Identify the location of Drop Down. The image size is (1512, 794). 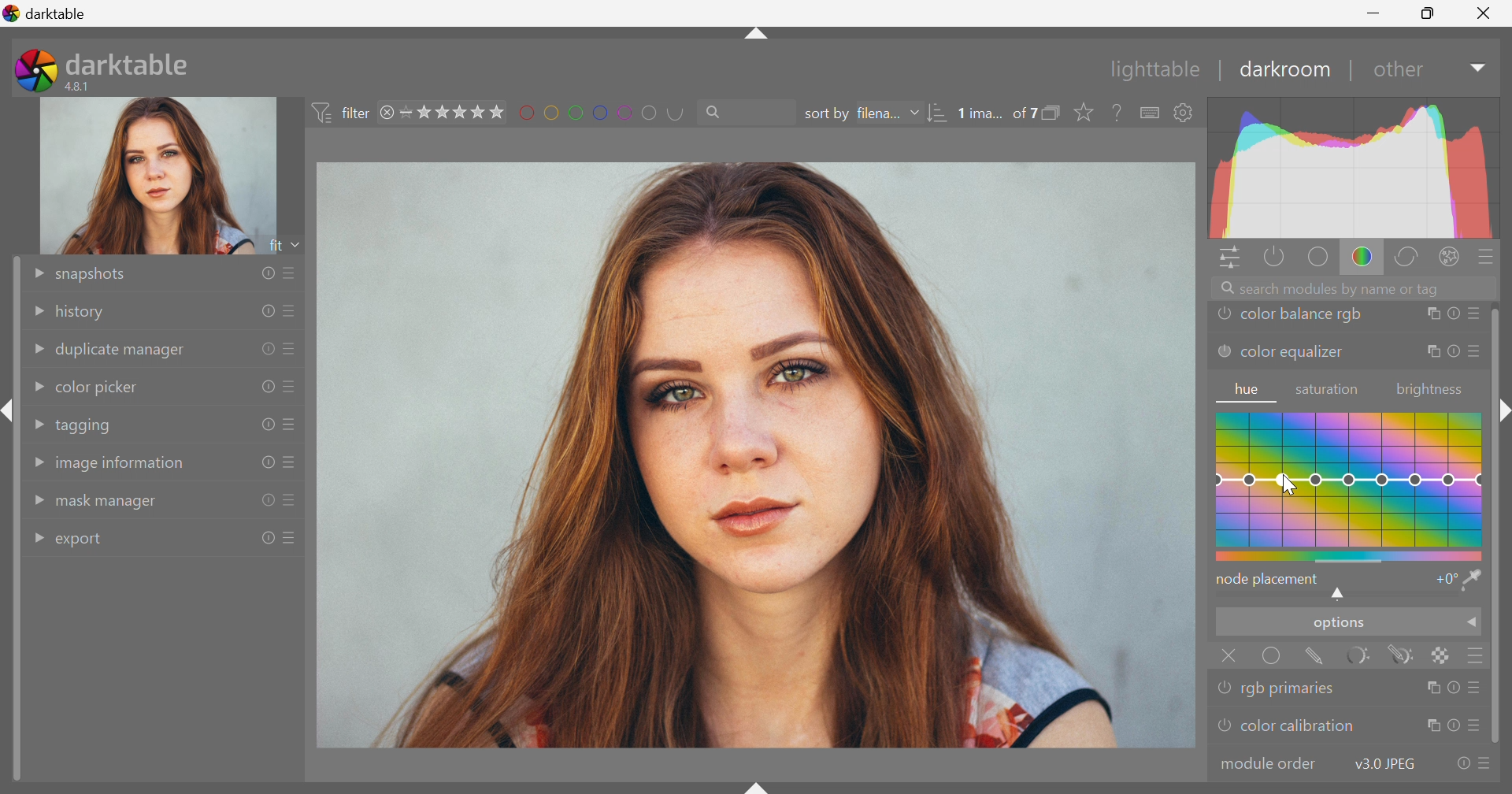
(36, 309).